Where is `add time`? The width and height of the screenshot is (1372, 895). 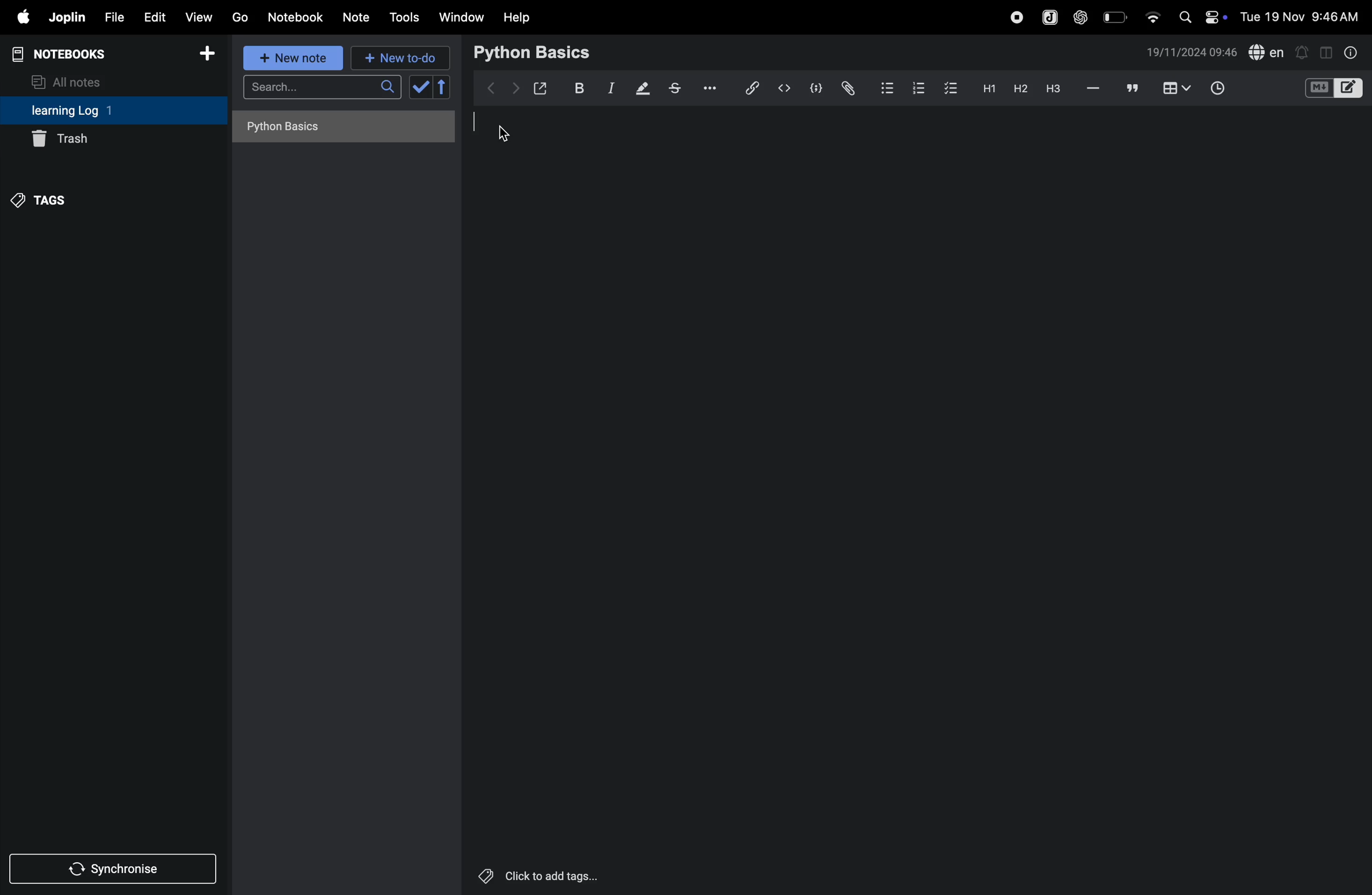
add time is located at coordinates (1231, 89).